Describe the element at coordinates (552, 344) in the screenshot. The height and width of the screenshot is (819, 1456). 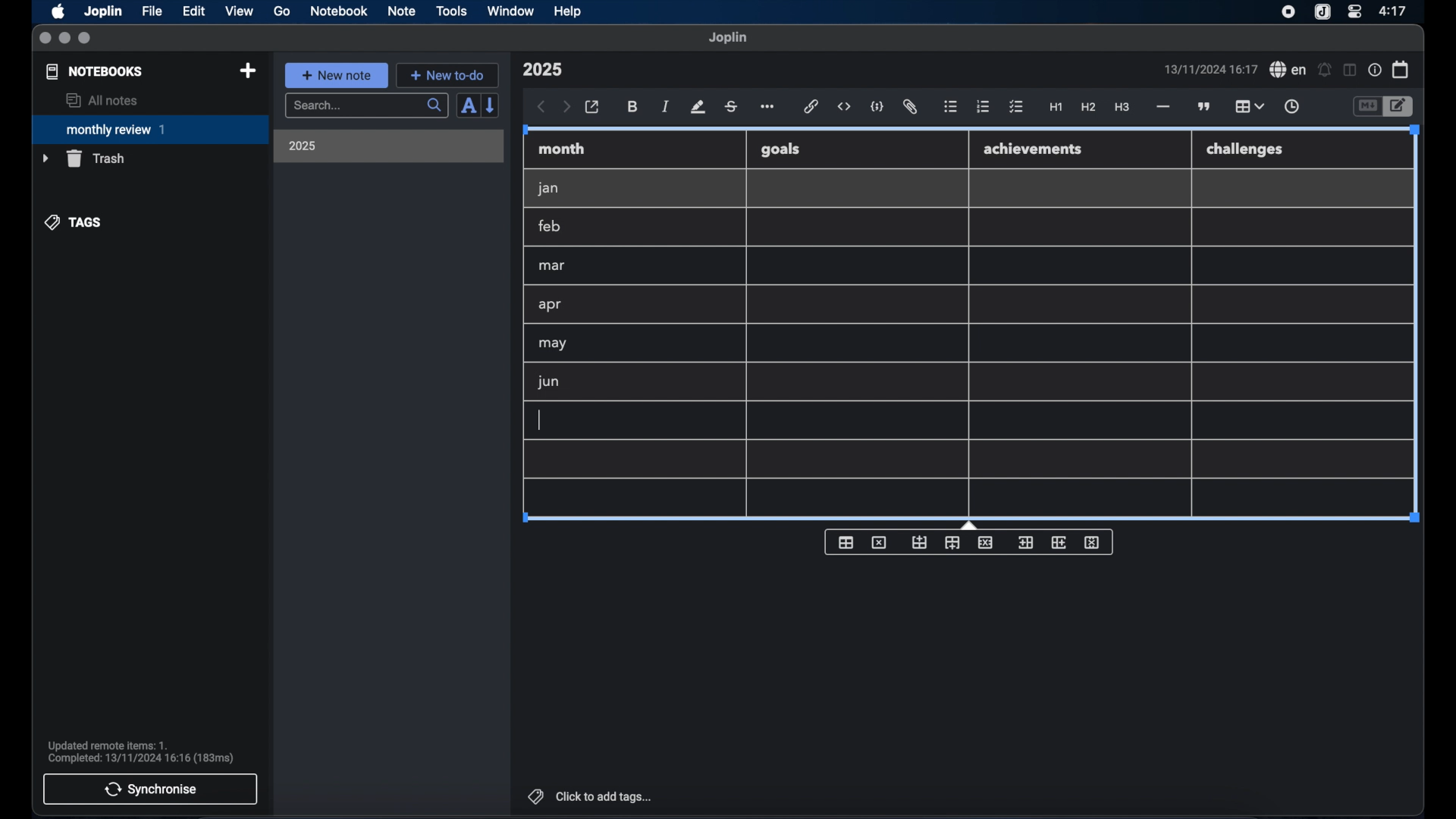
I see `may` at that location.